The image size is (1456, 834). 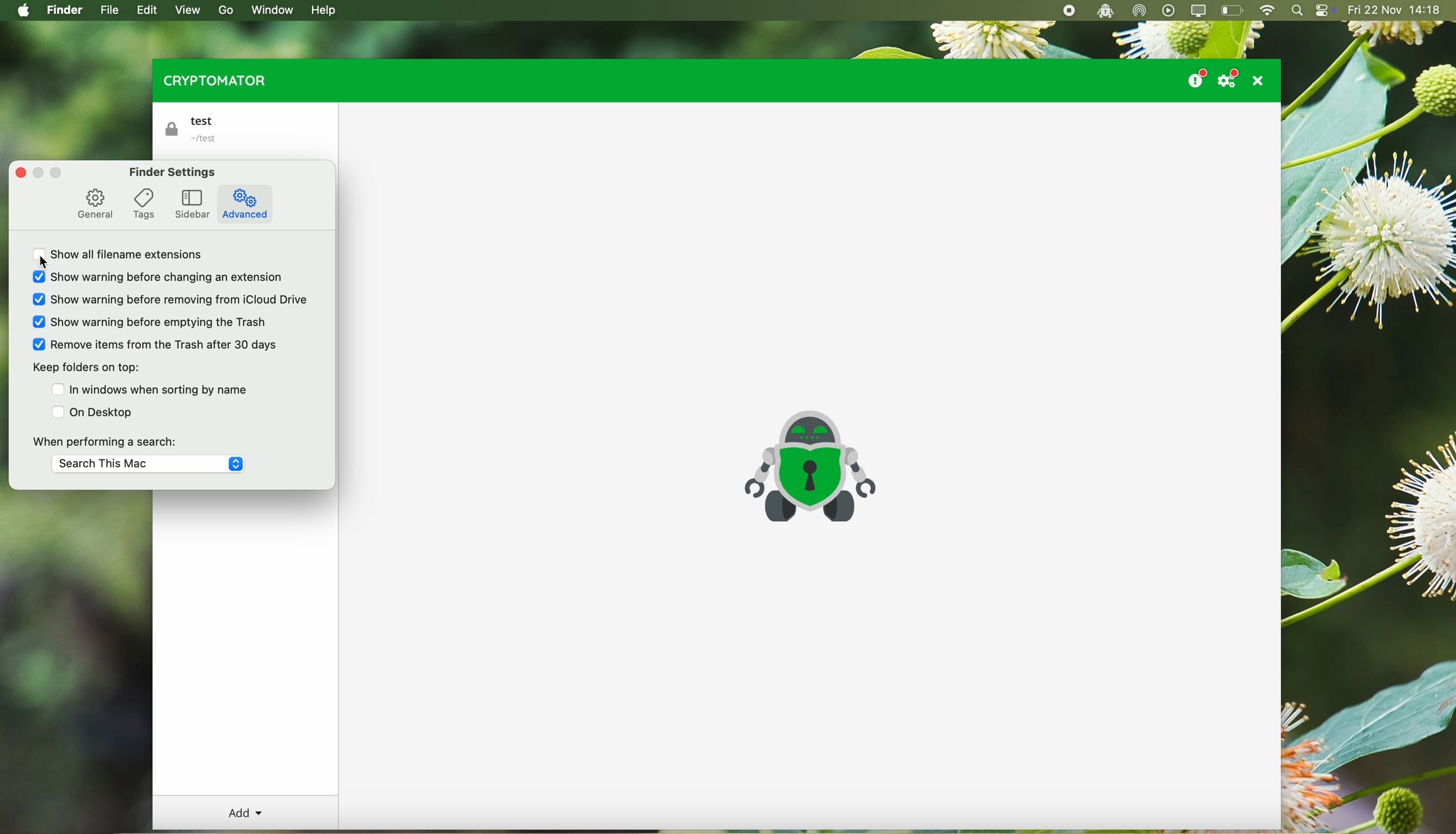 I want to click on finder, so click(x=66, y=11).